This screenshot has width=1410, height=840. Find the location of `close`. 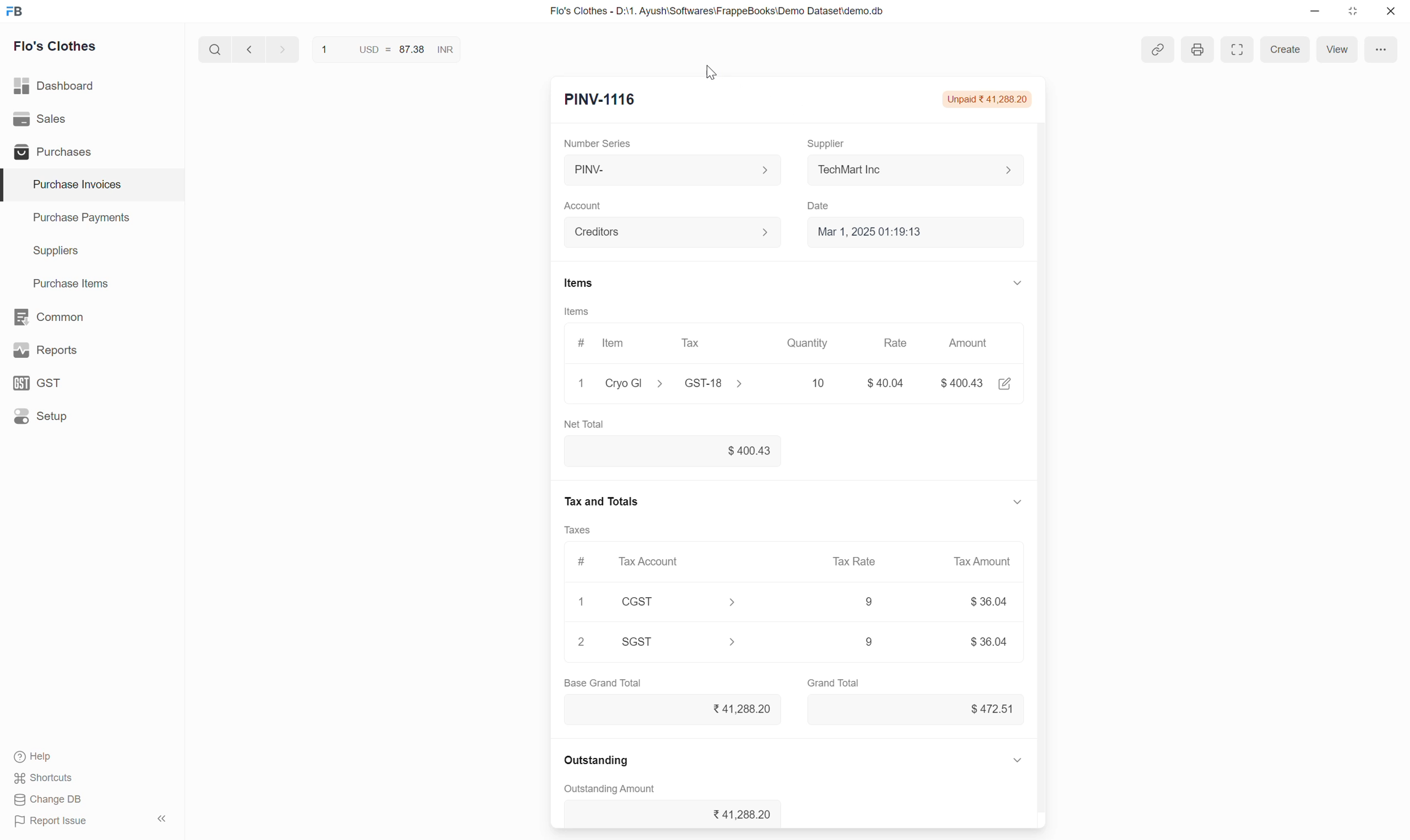

close is located at coordinates (1391, 13).